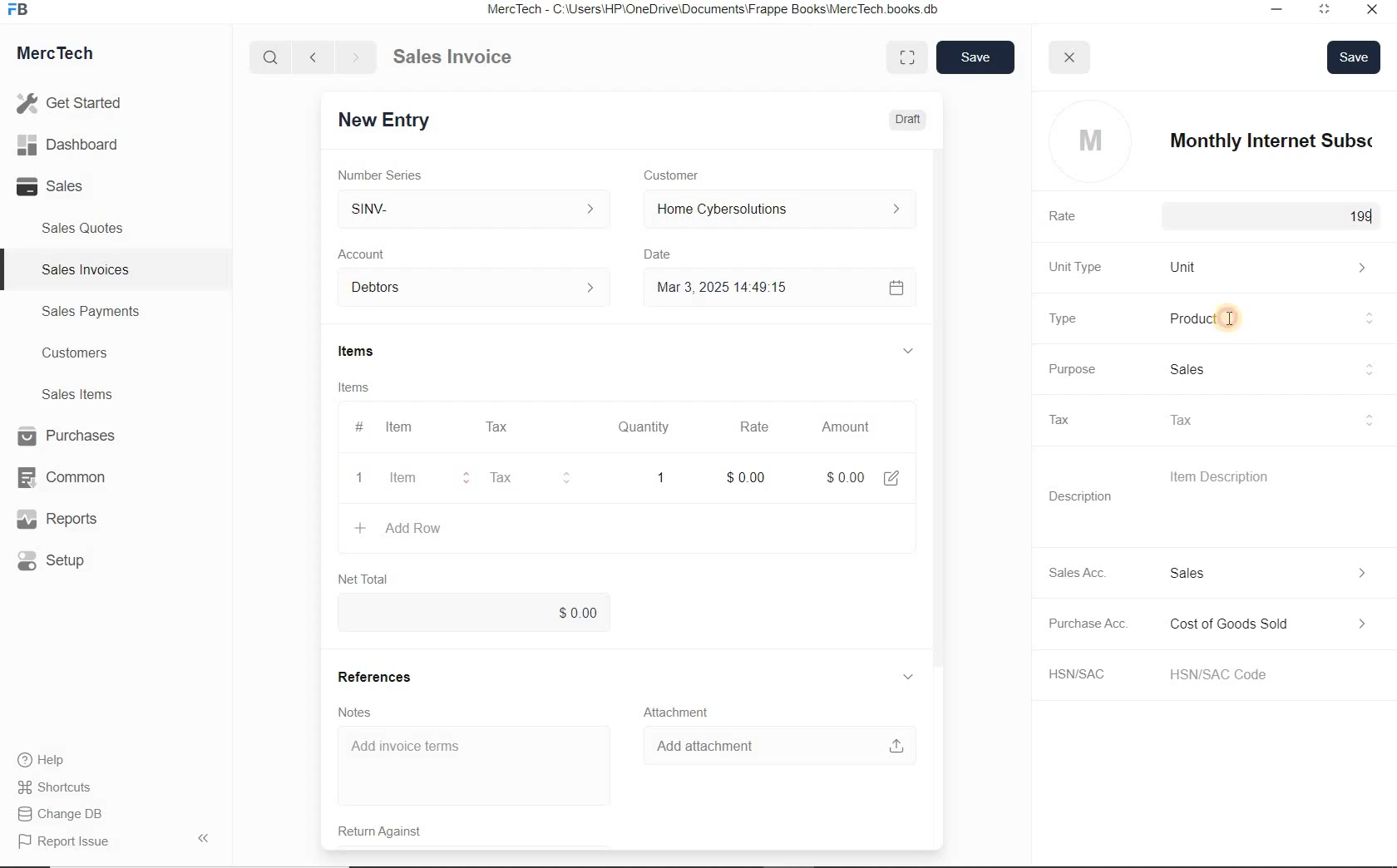 This screenshot has width=1397, height=868. What do you see at coordinates (62, 788) in the screenshot?
I see `Shortcuts` at bounding box center [62, 788].